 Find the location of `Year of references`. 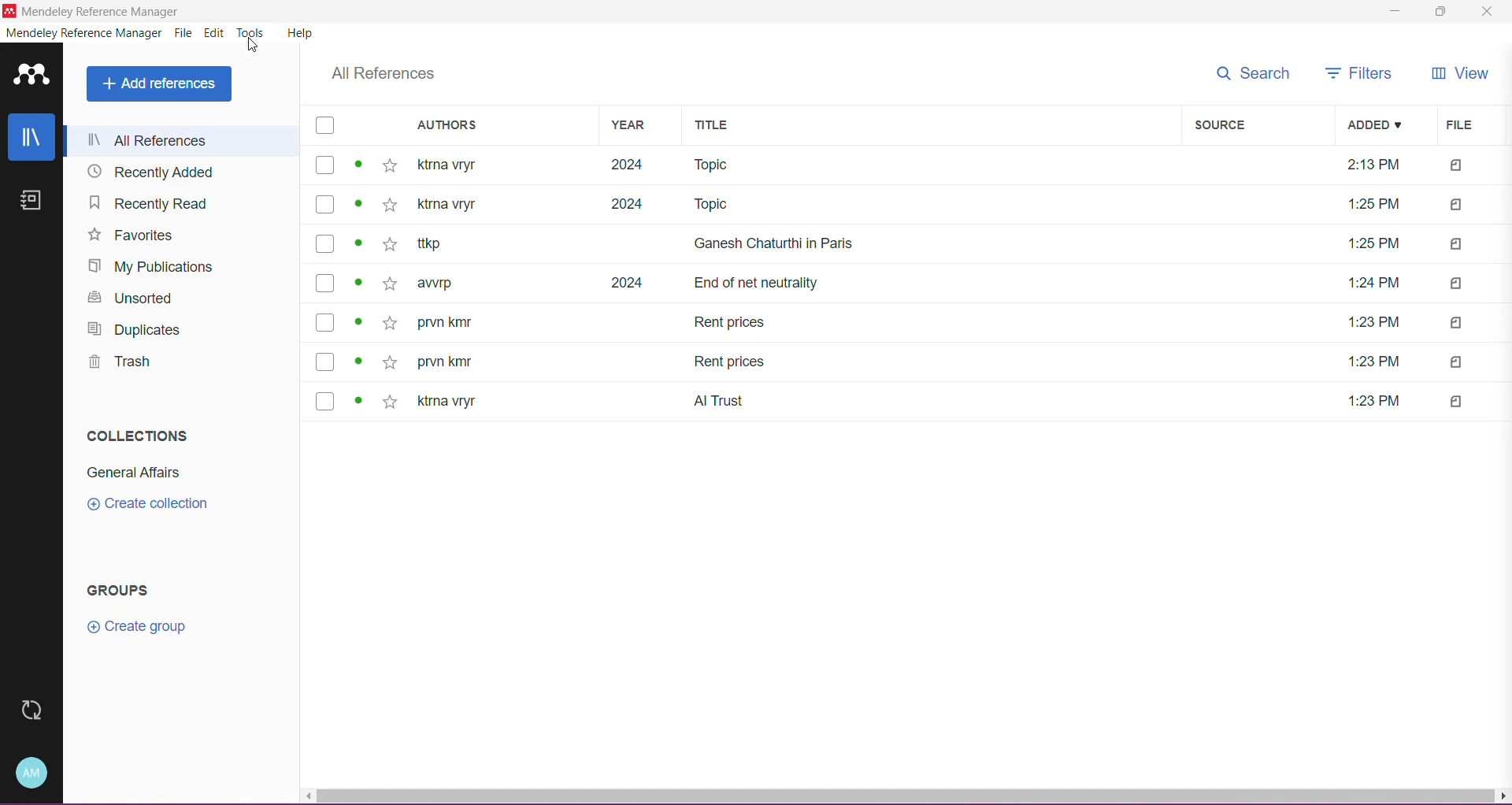

Year of references is located at coordinates (626, 162).